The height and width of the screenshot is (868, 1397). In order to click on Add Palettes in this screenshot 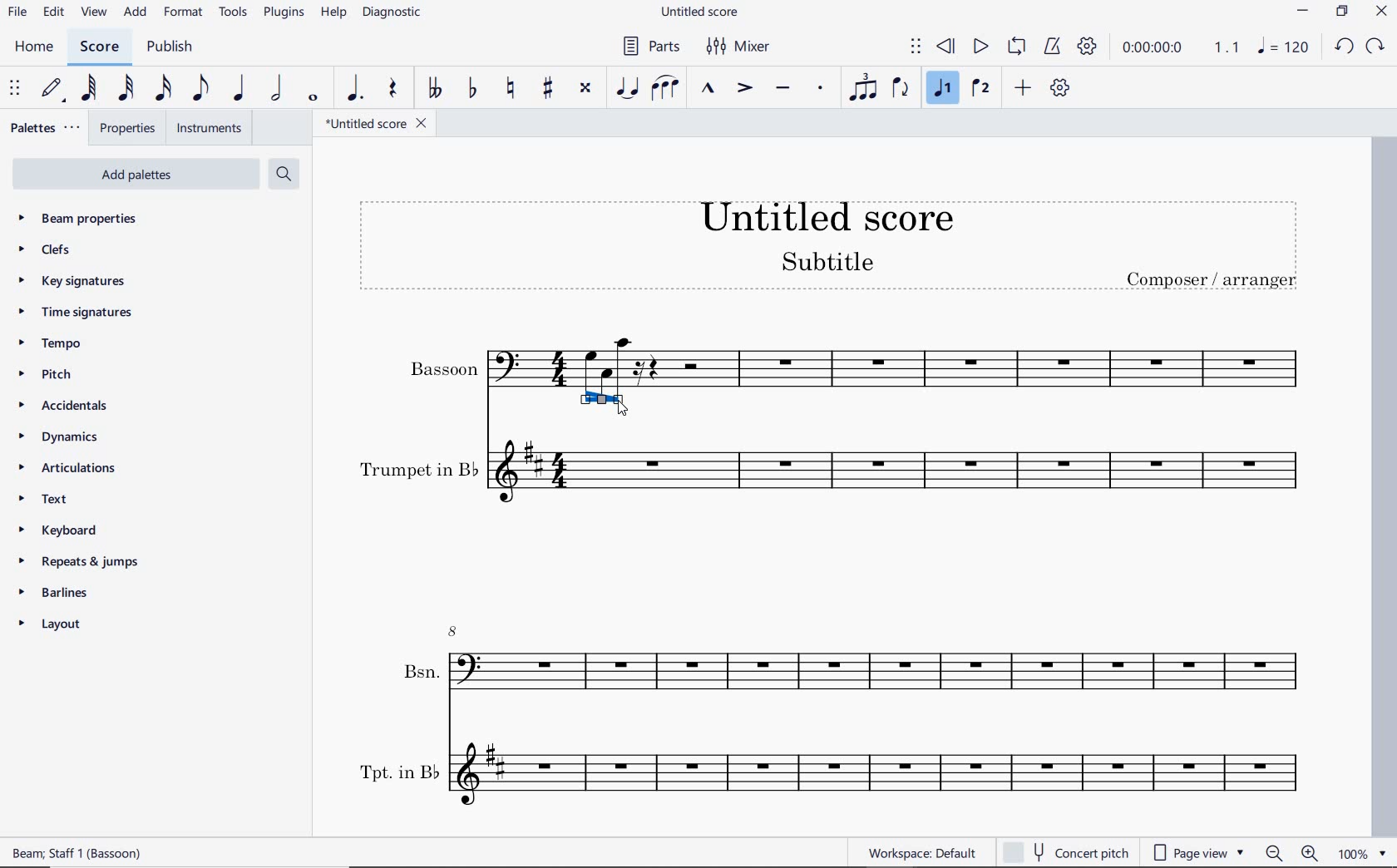, I will do `click(136, 172)`.